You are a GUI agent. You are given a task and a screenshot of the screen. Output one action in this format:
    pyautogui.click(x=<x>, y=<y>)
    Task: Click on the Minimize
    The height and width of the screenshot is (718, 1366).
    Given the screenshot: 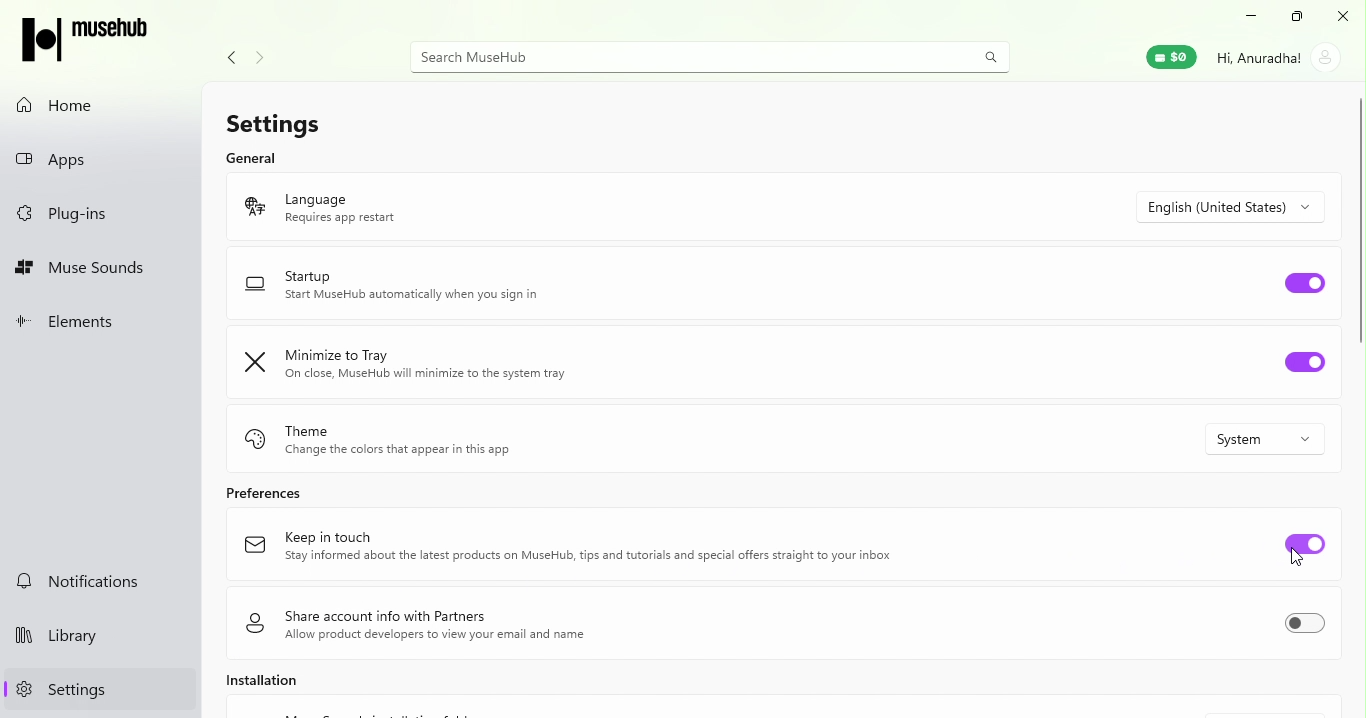 What is the action you would take?
    pyautogui.click(x=1250, y=17)
    